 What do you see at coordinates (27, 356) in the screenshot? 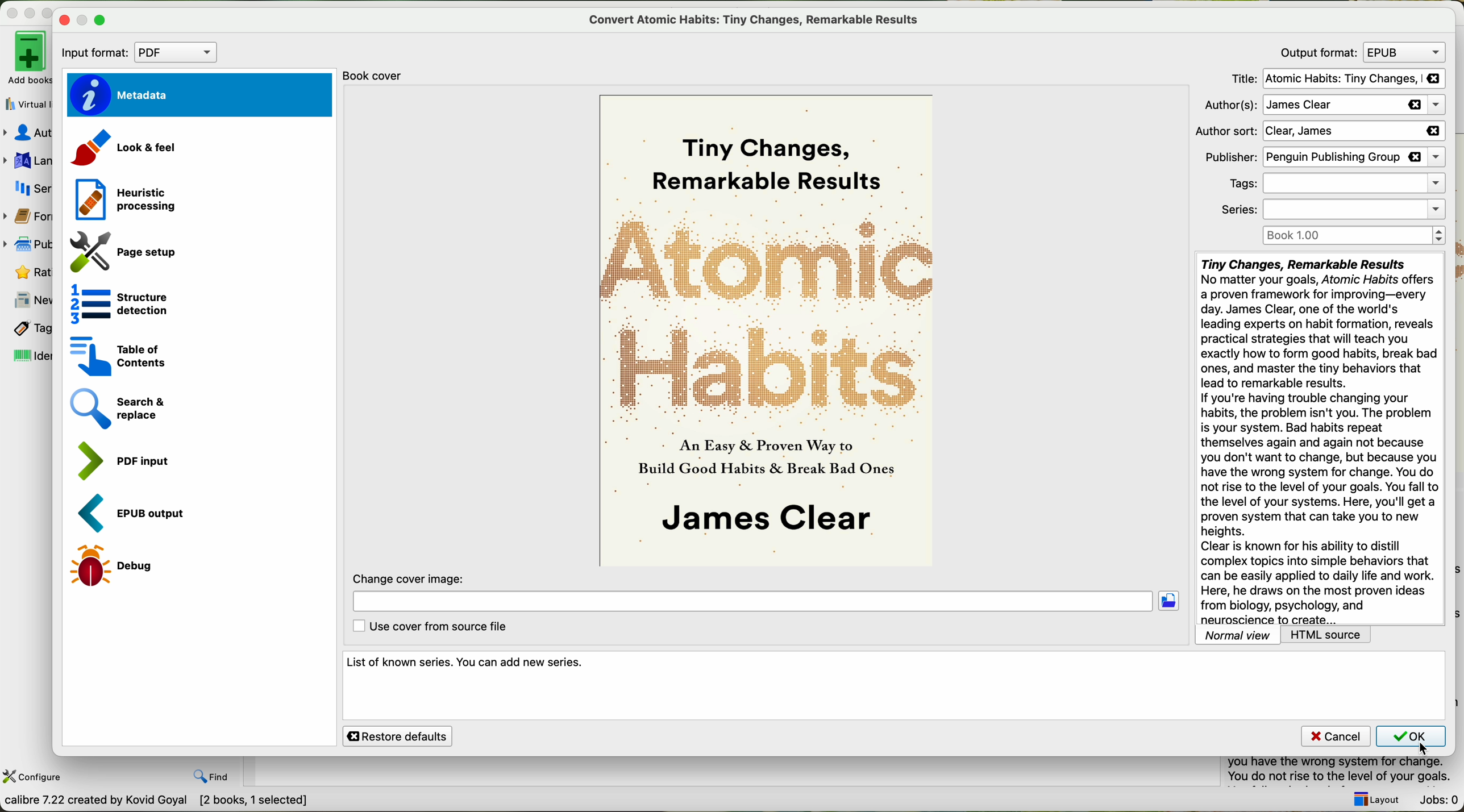
I see `identifiers` at bounding box center [27, 356].